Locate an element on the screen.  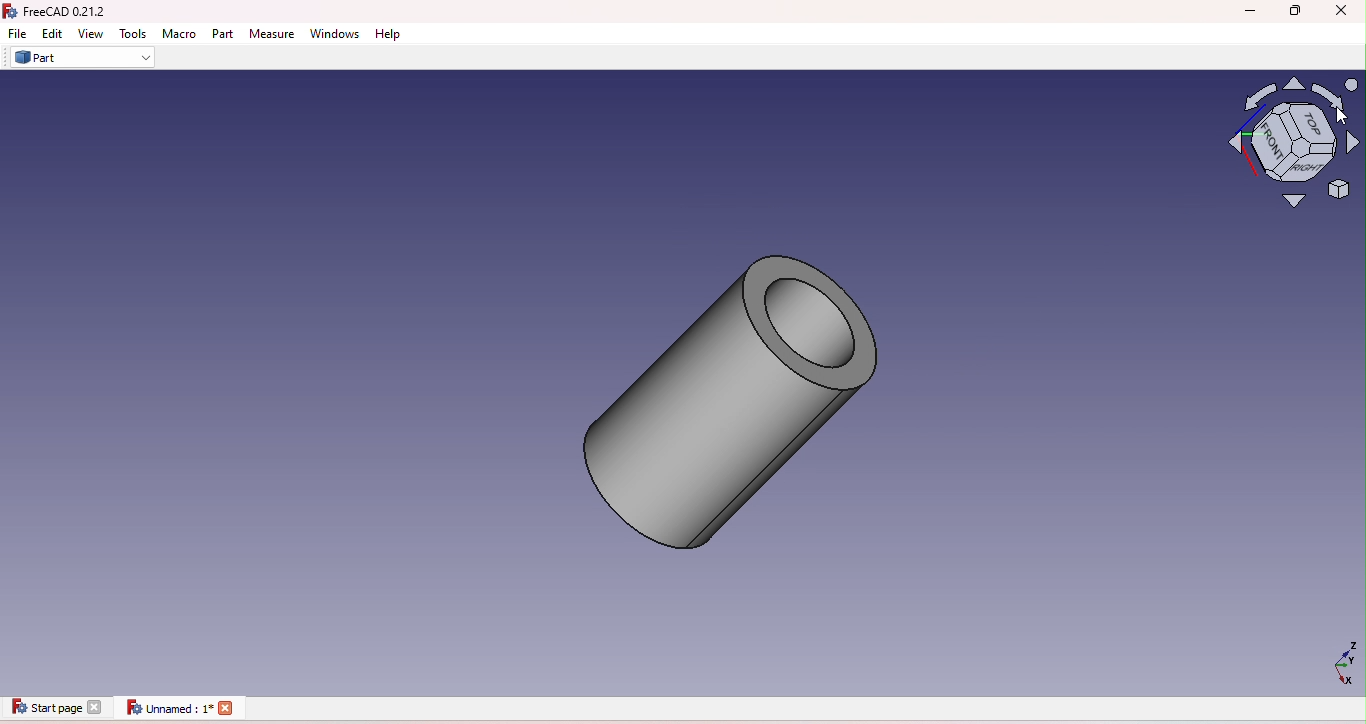
Cylinder is located at coordinates (721, 394).